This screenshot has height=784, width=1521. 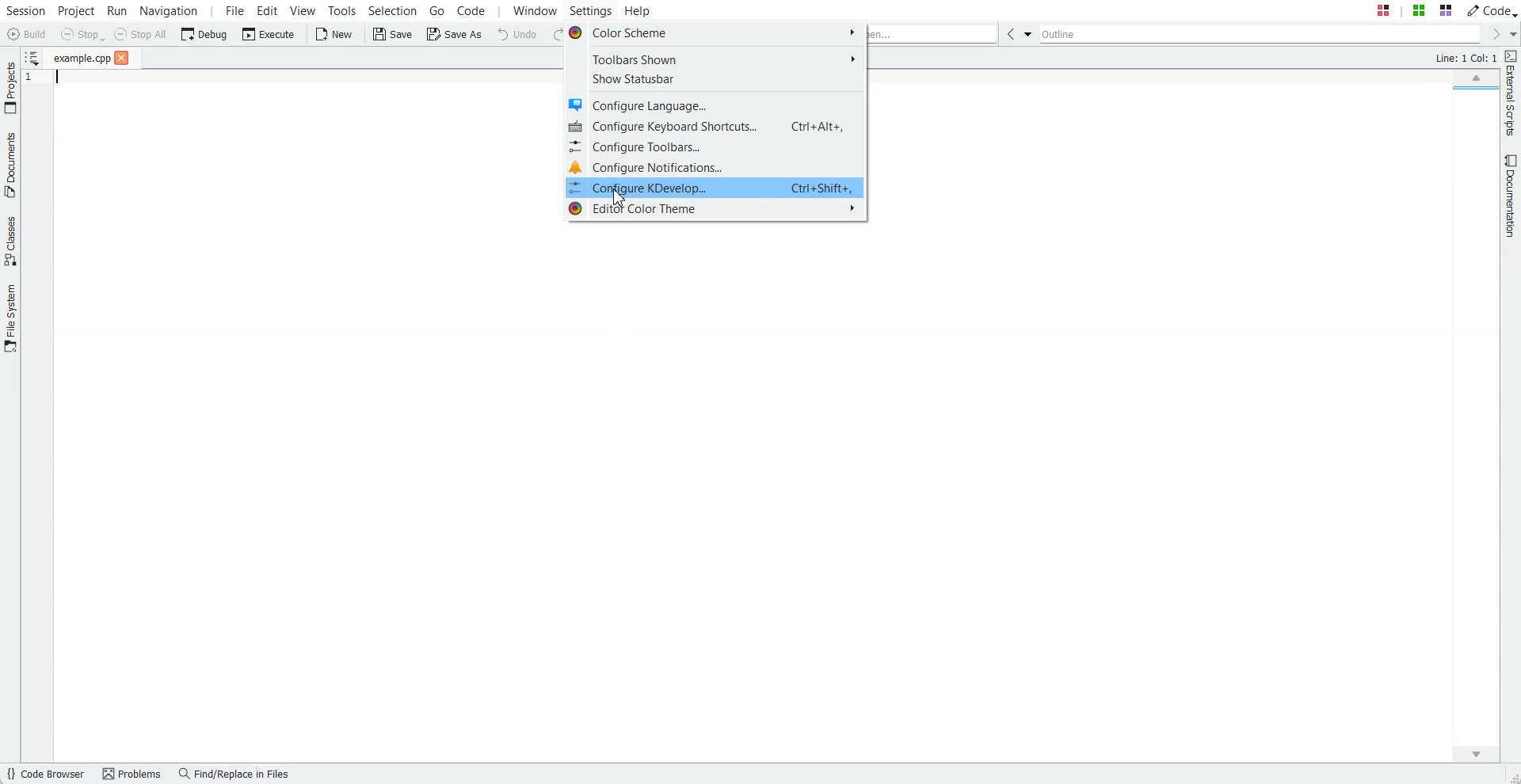 What do you see at coordinates (715, 79) in the screenshot?
I see `Show Statusbar` at bounding box center [715, 79].